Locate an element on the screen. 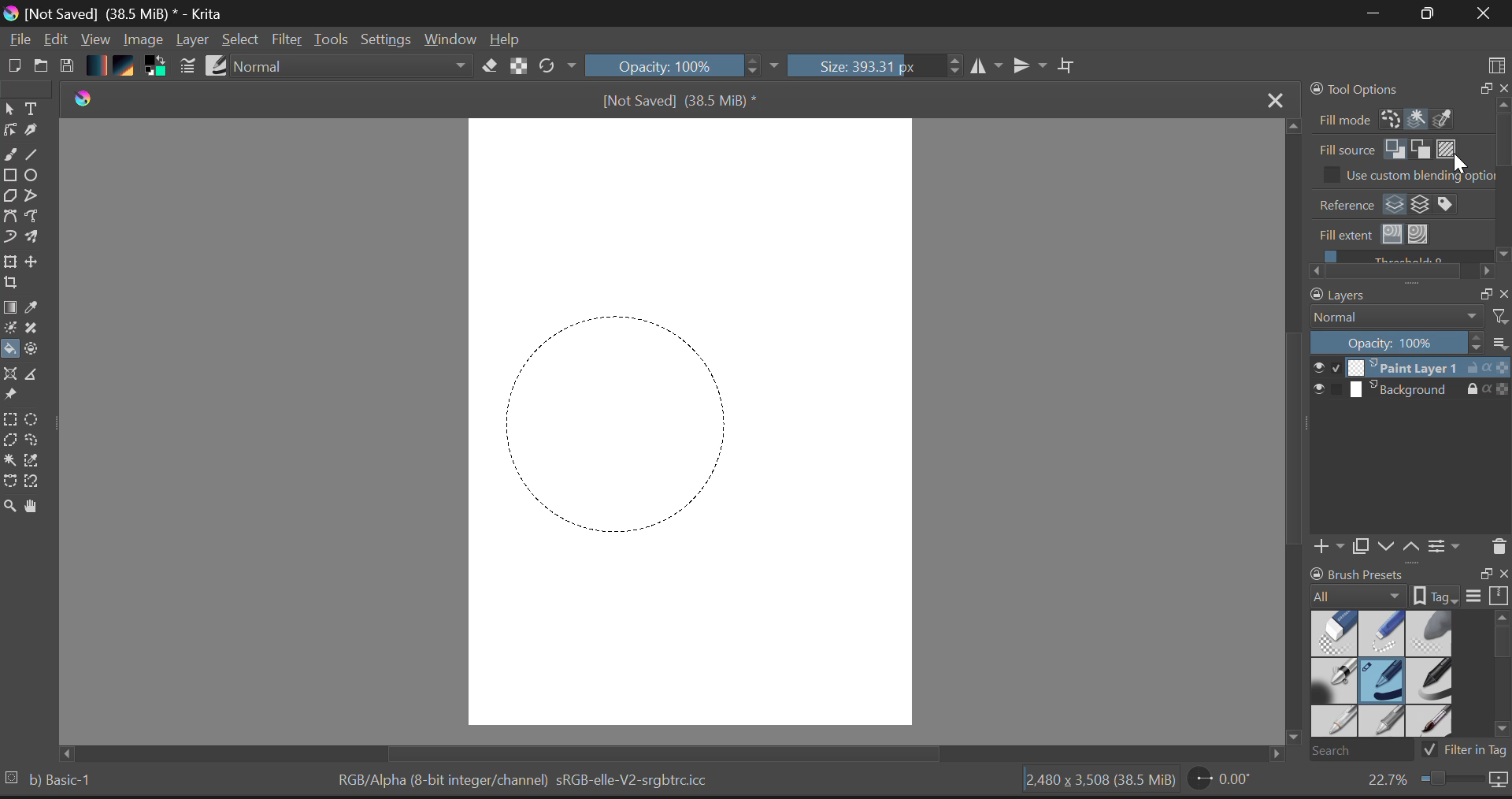  Vertical Mirror Flip is located at coordinates (988, 67).